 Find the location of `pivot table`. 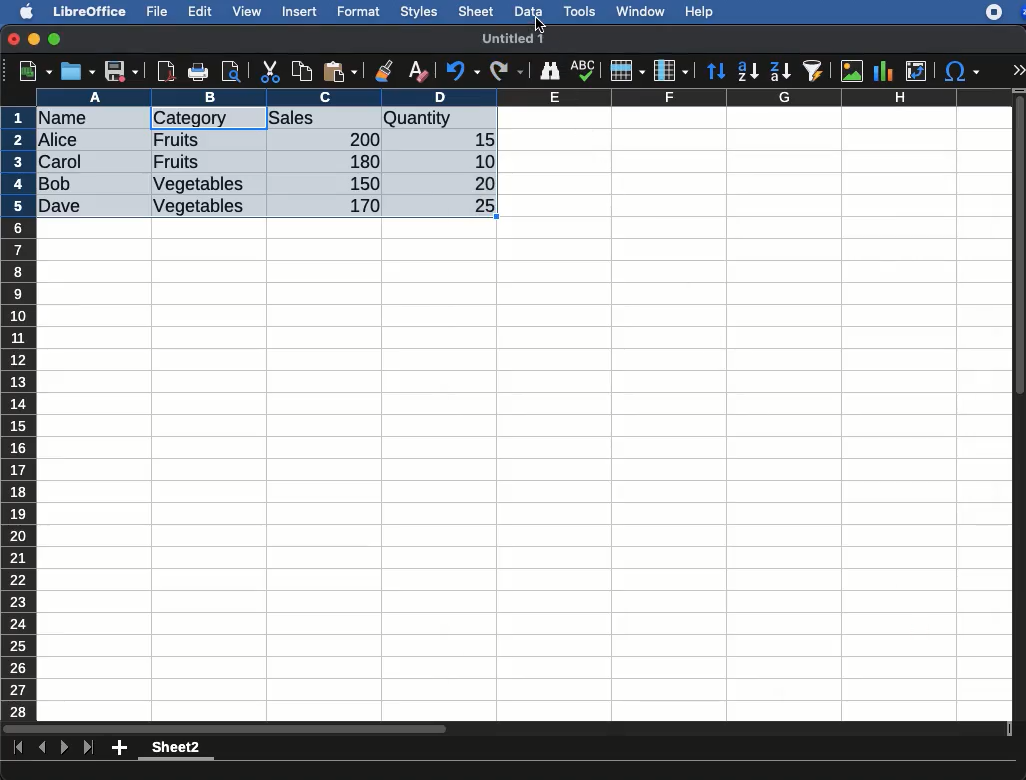

pivot table is located at coordinates (916, 71).